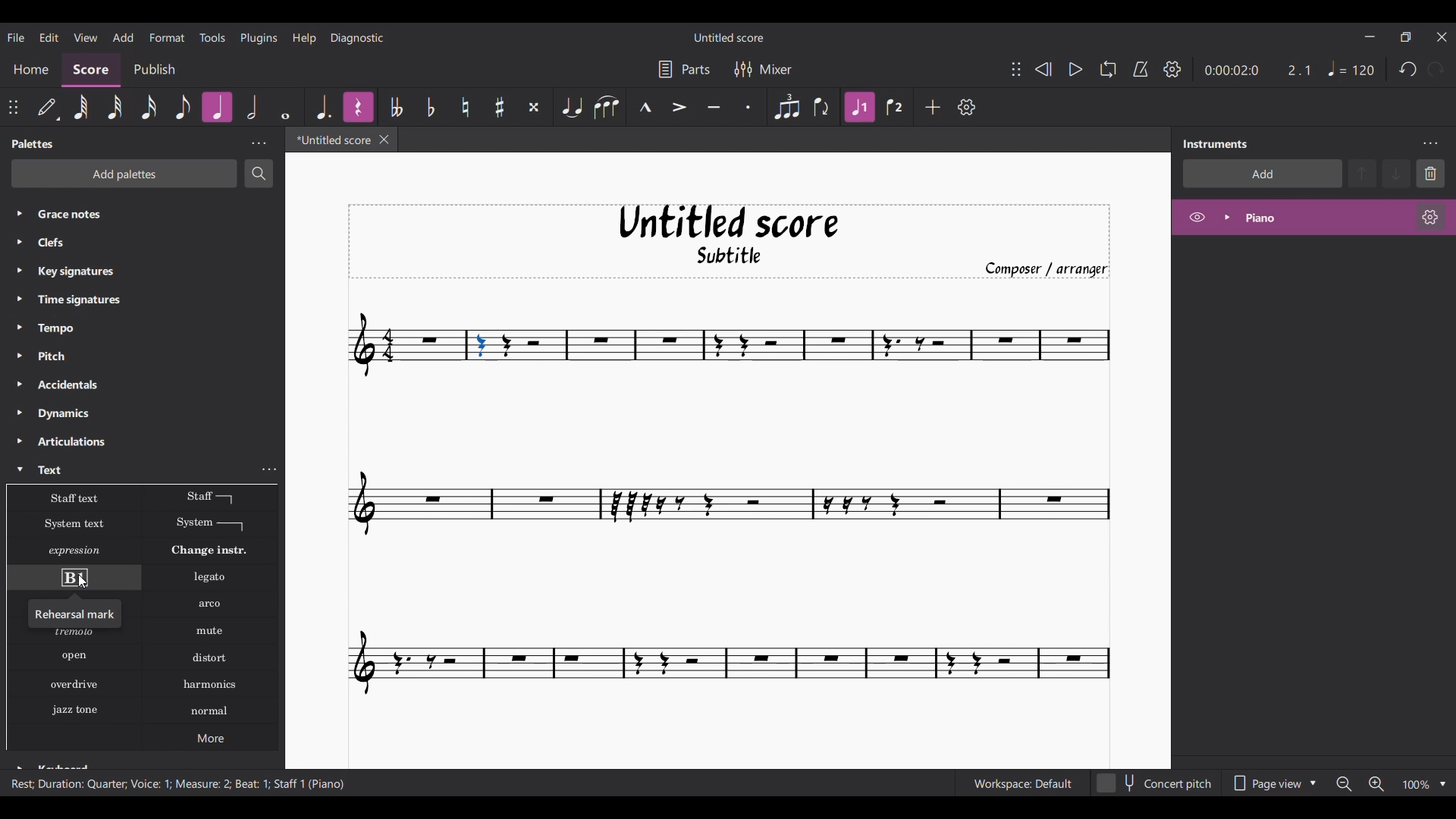  What do you see at coordinates (1362, 173) in the screenshot?
I see `Move up` at bounding box center [1362, 173].